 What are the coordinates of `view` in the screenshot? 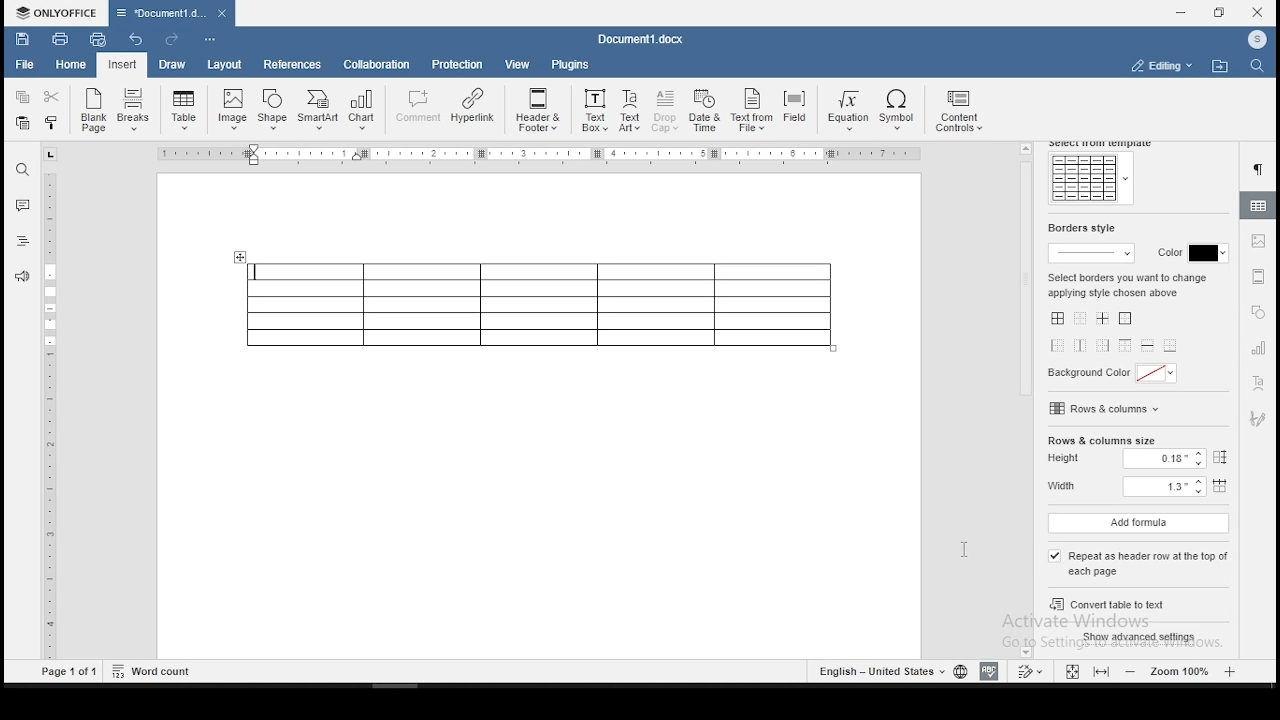 It's located at (519, 64).